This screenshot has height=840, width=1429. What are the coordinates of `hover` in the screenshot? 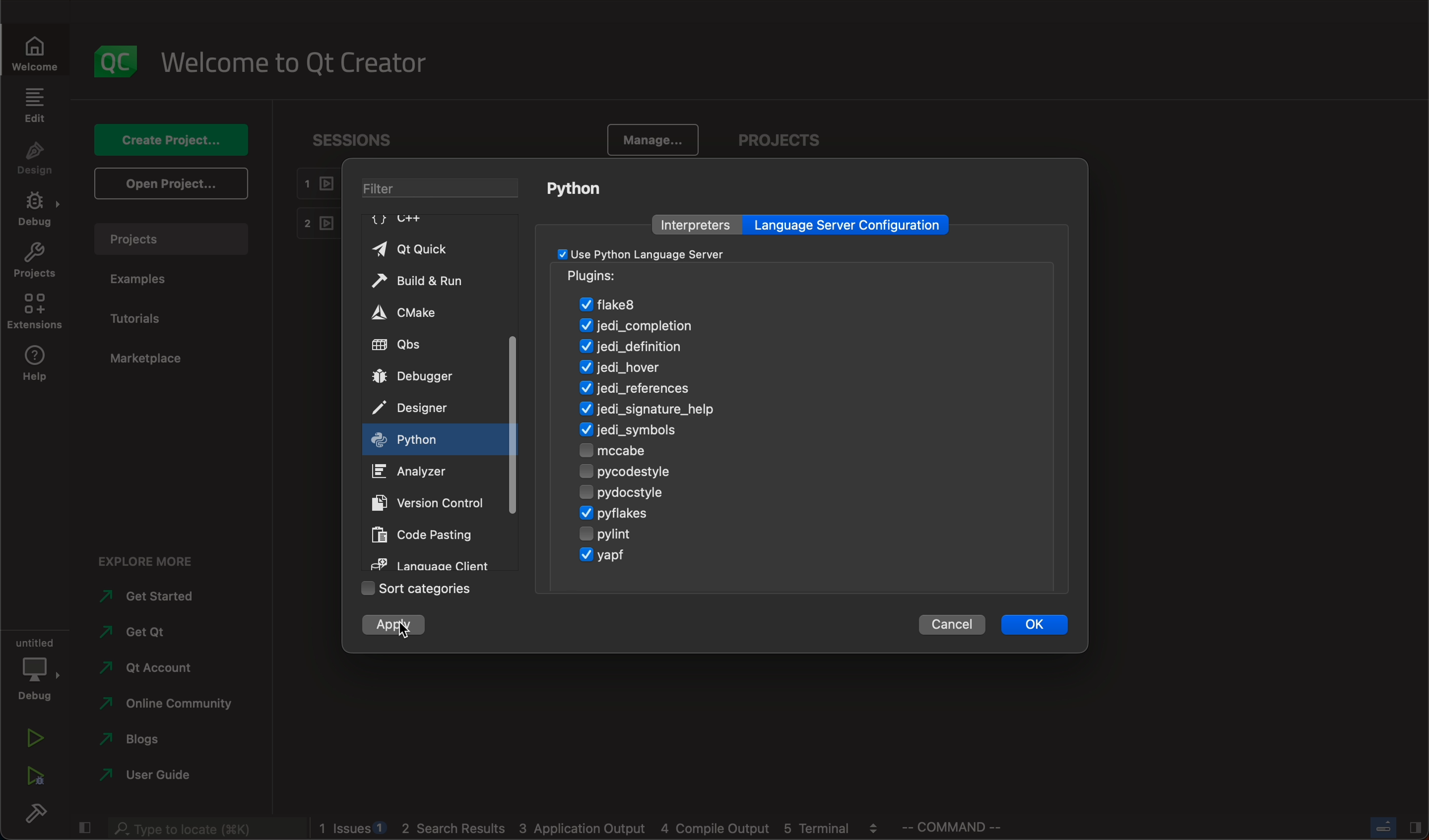 It's located at (635, 366).